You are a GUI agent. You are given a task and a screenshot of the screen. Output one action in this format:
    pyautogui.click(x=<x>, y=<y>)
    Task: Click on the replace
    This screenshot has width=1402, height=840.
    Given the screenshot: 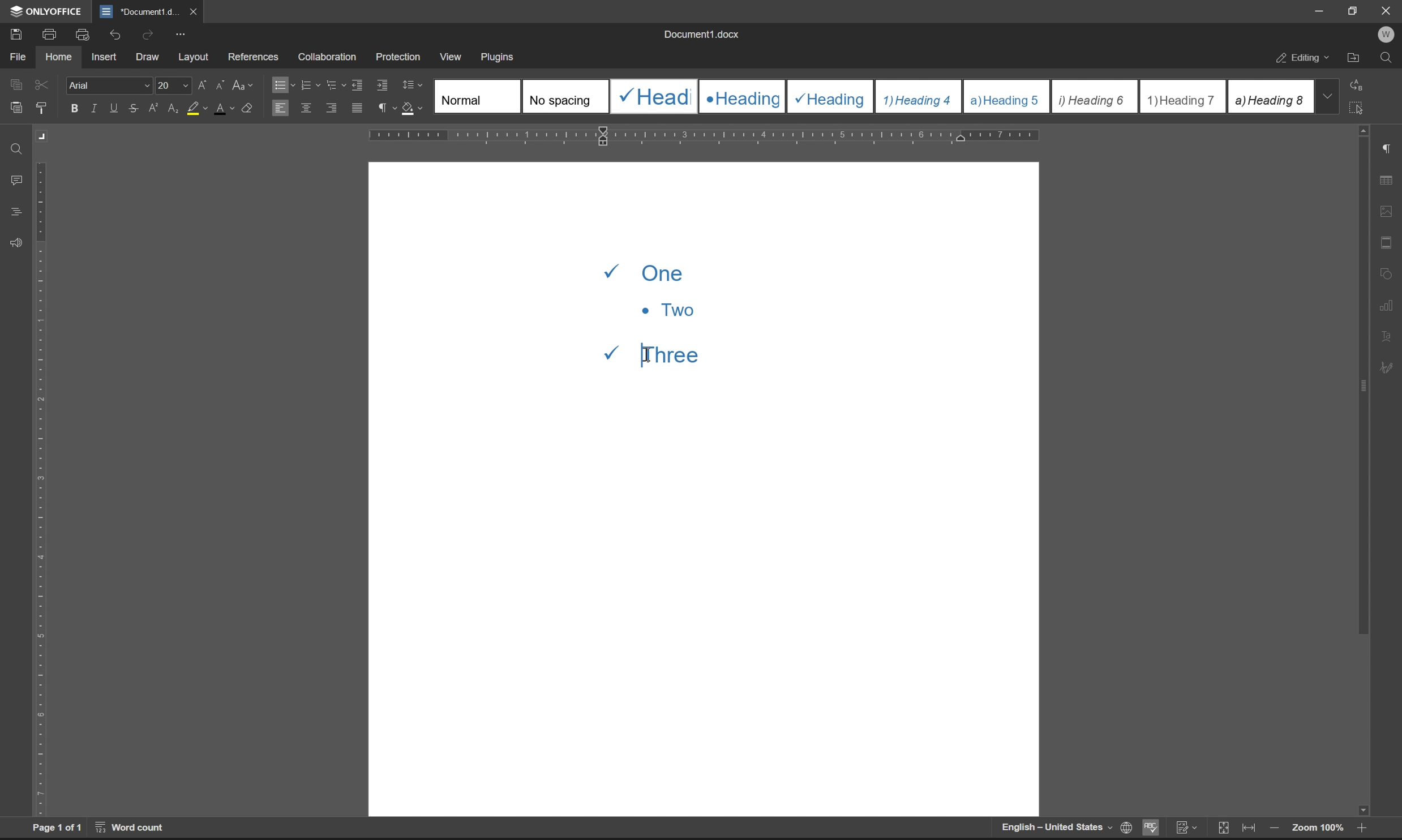 What is the action you would take?
    pyautogui.click(x=1360, y=84)
    